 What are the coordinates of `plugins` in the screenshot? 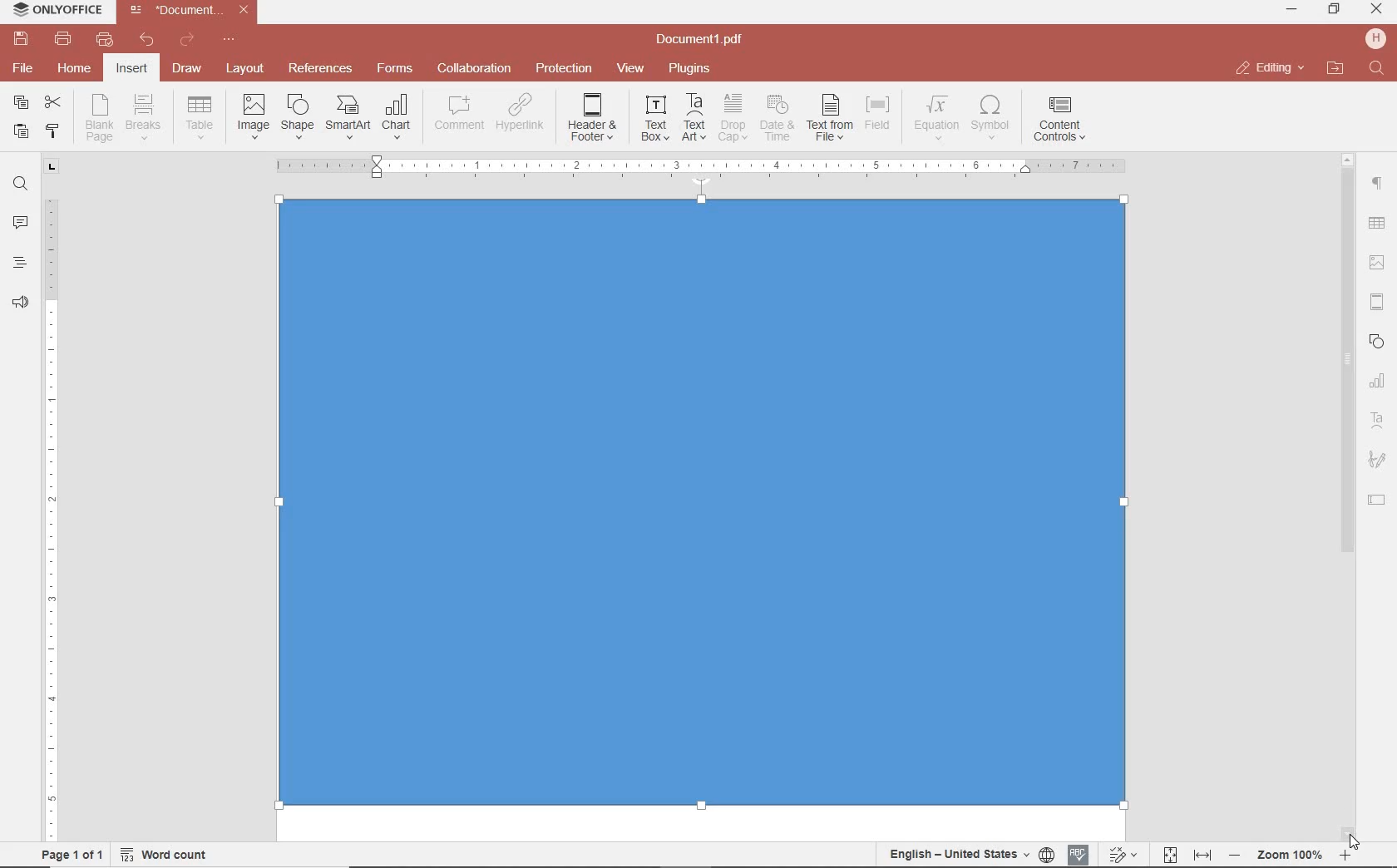 It's located at (693, 69).